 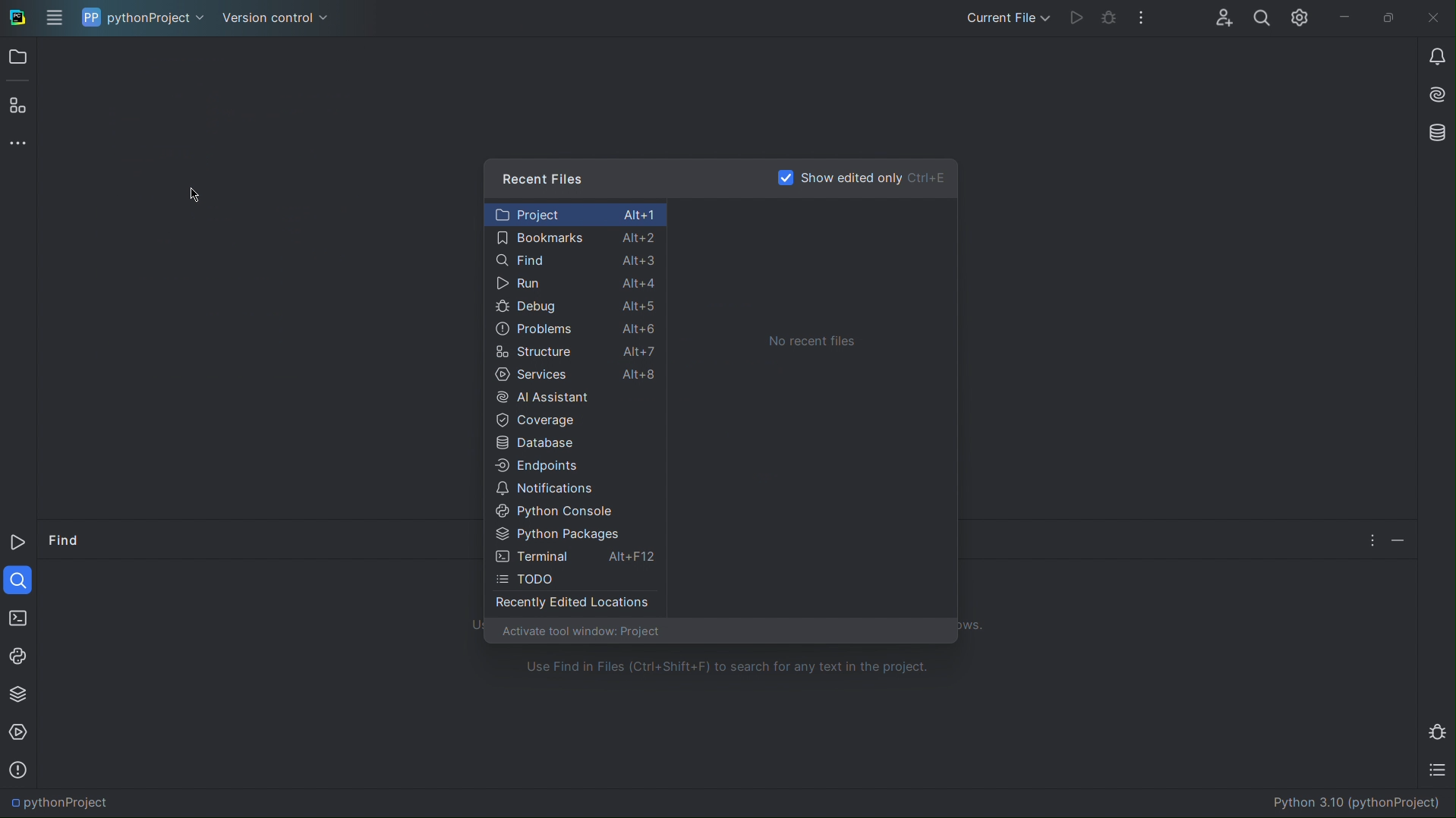 I want to click on Debug, so click(x=574, y=308).